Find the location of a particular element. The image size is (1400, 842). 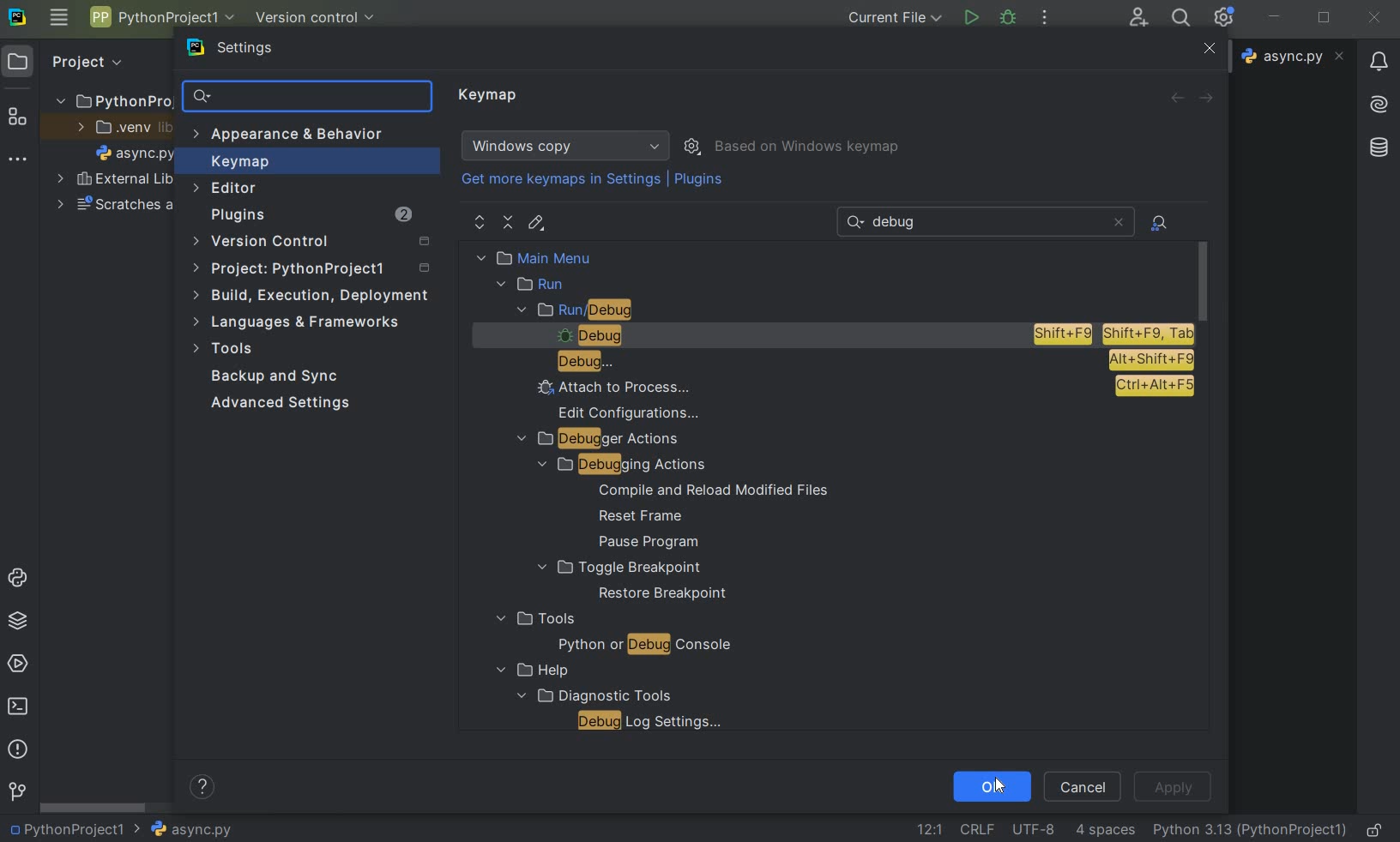

minimize is located at coordinates (1275, 16).